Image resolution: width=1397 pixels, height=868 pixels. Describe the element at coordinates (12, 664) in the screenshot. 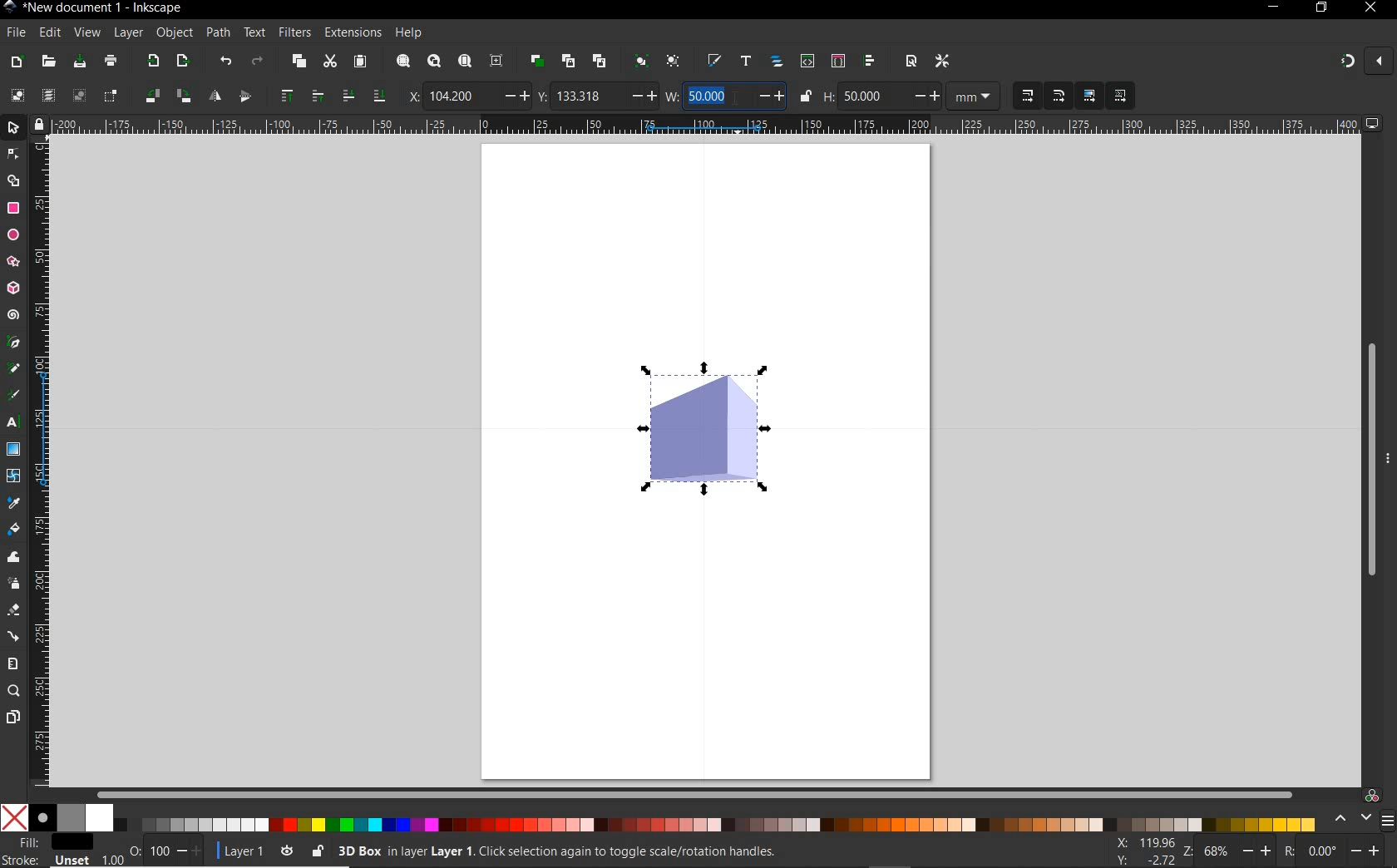

I see `measure tool` at that location.